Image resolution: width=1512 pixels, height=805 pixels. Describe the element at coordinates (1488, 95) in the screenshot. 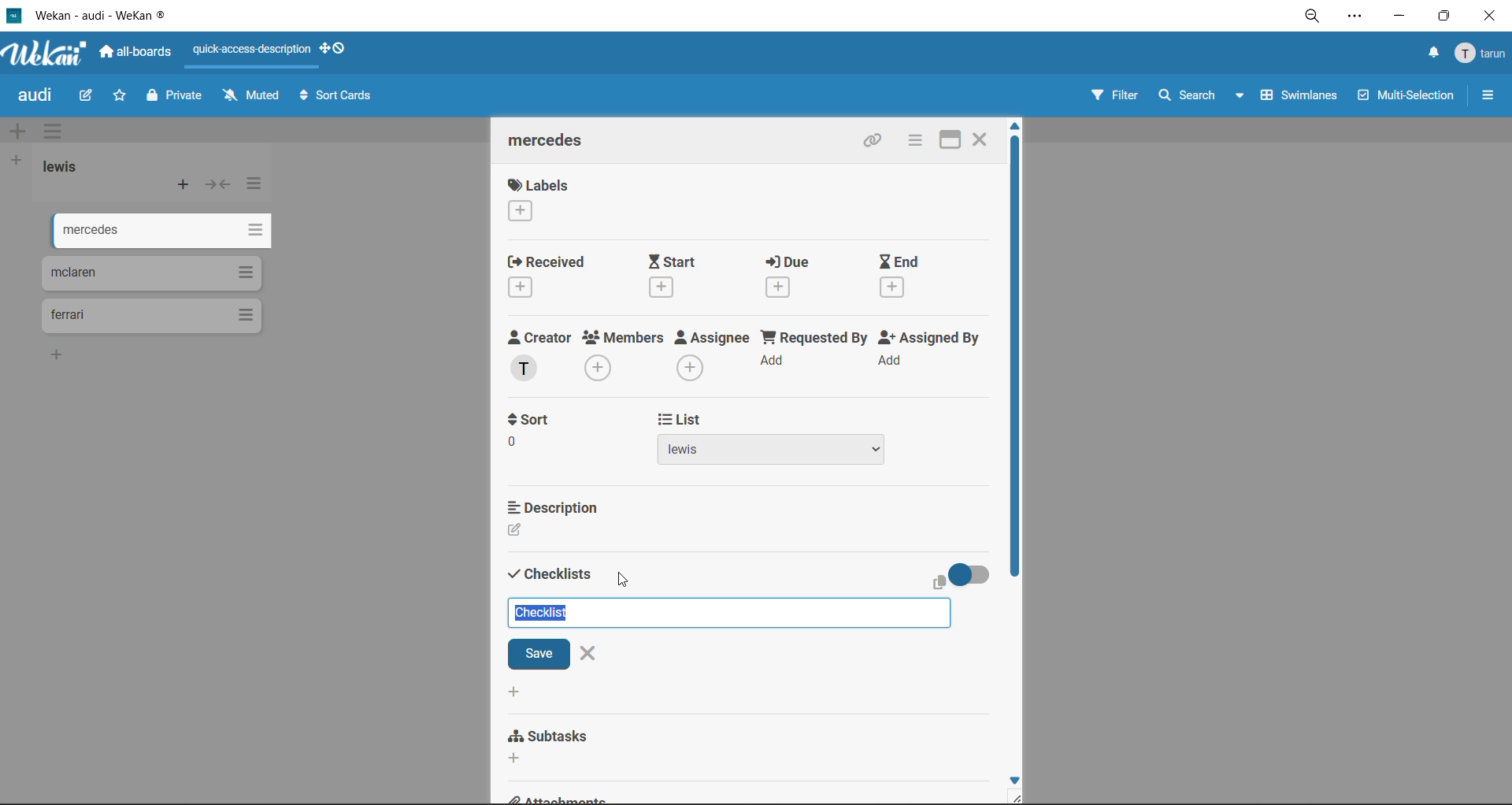

I see `sidebar` at that location.